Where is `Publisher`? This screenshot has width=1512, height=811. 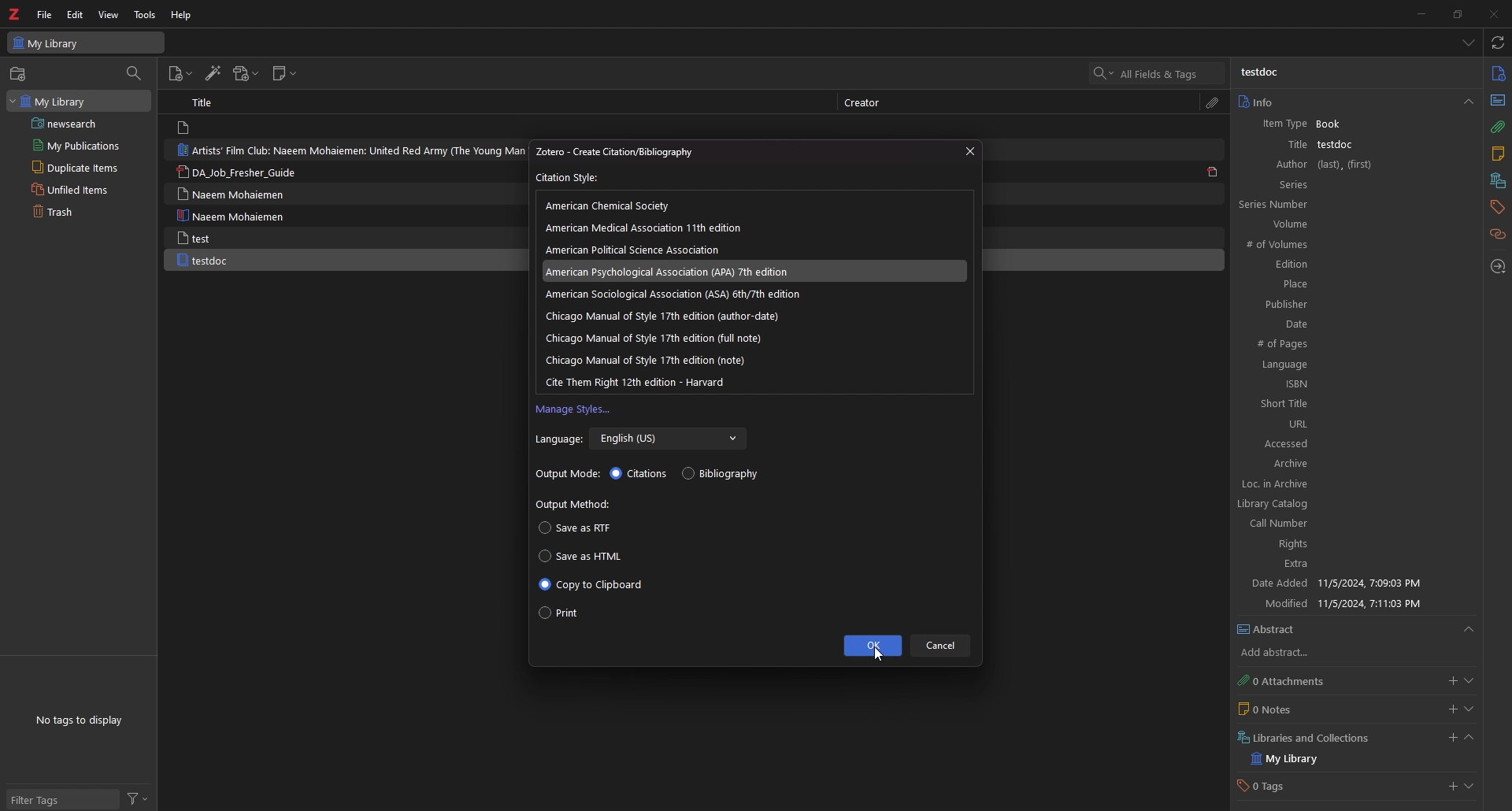 Publisher is located at coordinates (1345, 303).